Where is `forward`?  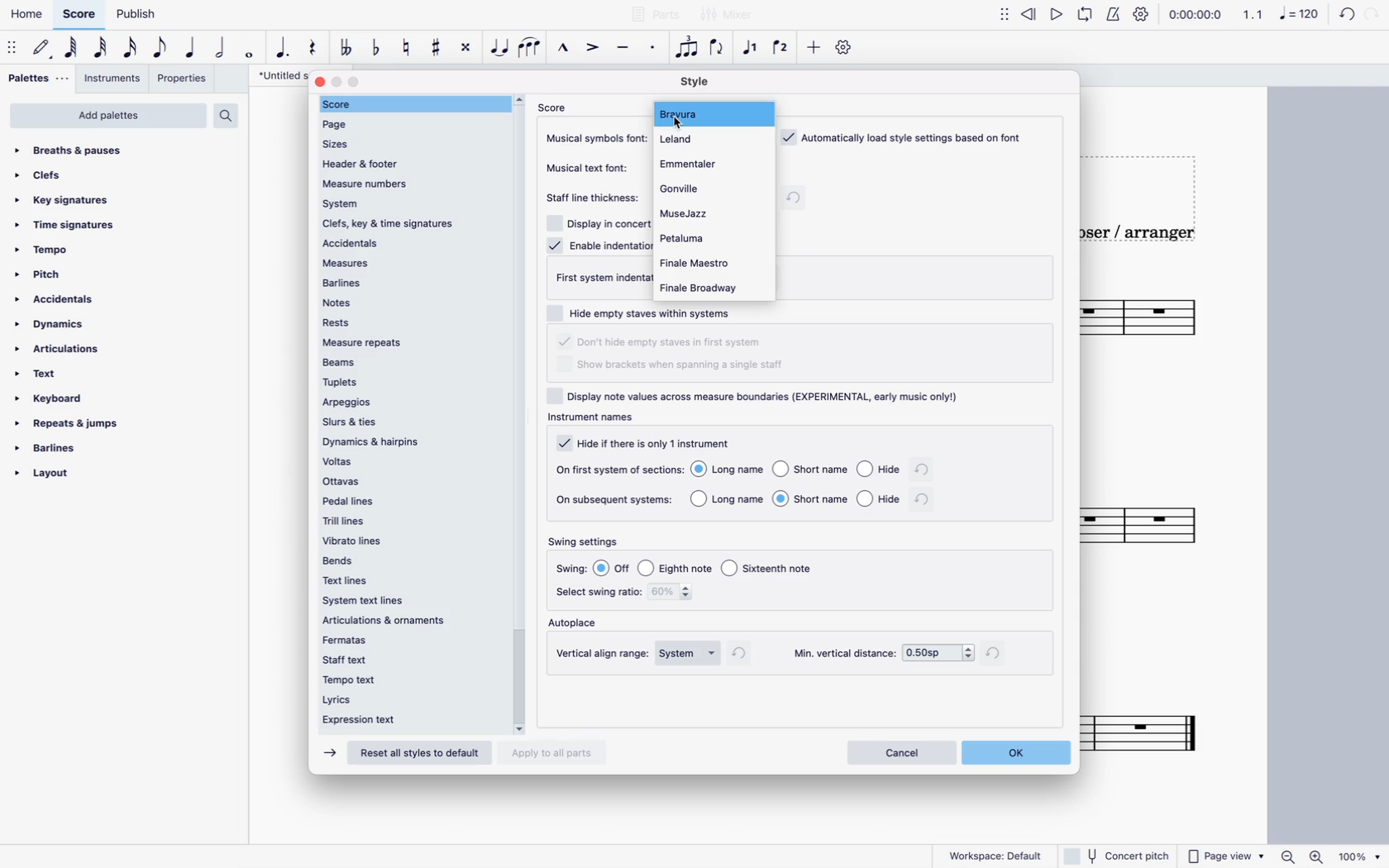 forward is located at coordinates (329, 754).